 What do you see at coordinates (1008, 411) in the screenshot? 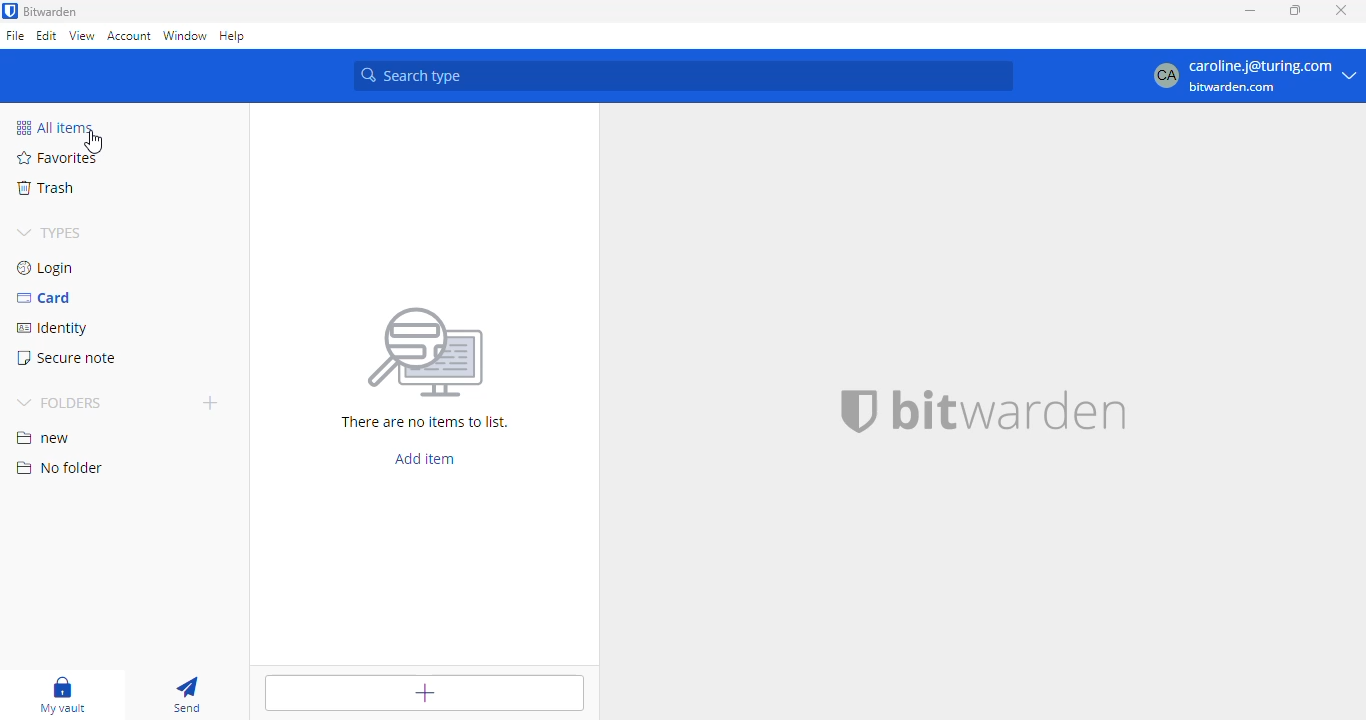
I see `bitwarden` at bounding box center [1008, 411].